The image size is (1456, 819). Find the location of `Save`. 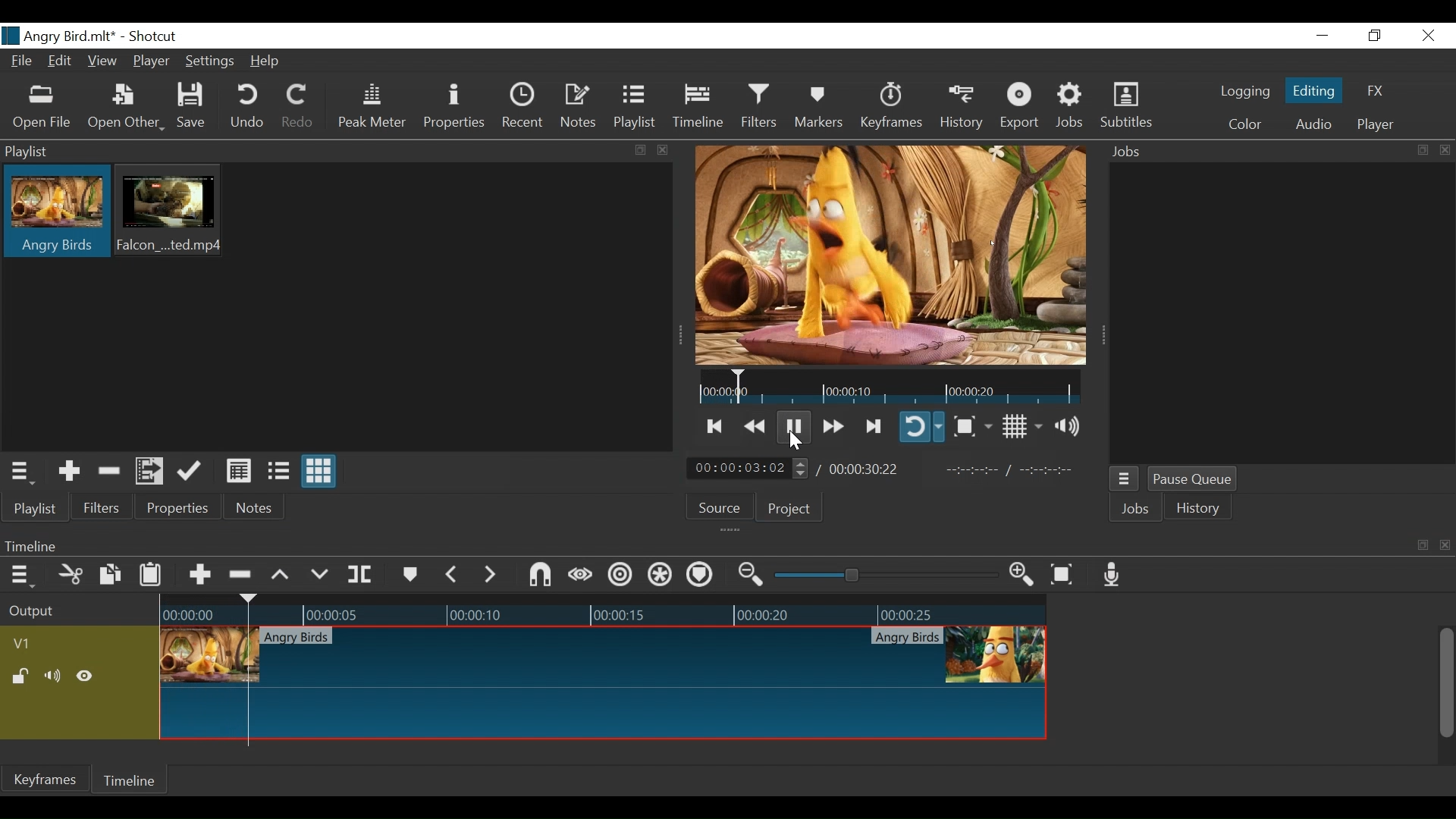

Save is located at coordinates (196, 108).